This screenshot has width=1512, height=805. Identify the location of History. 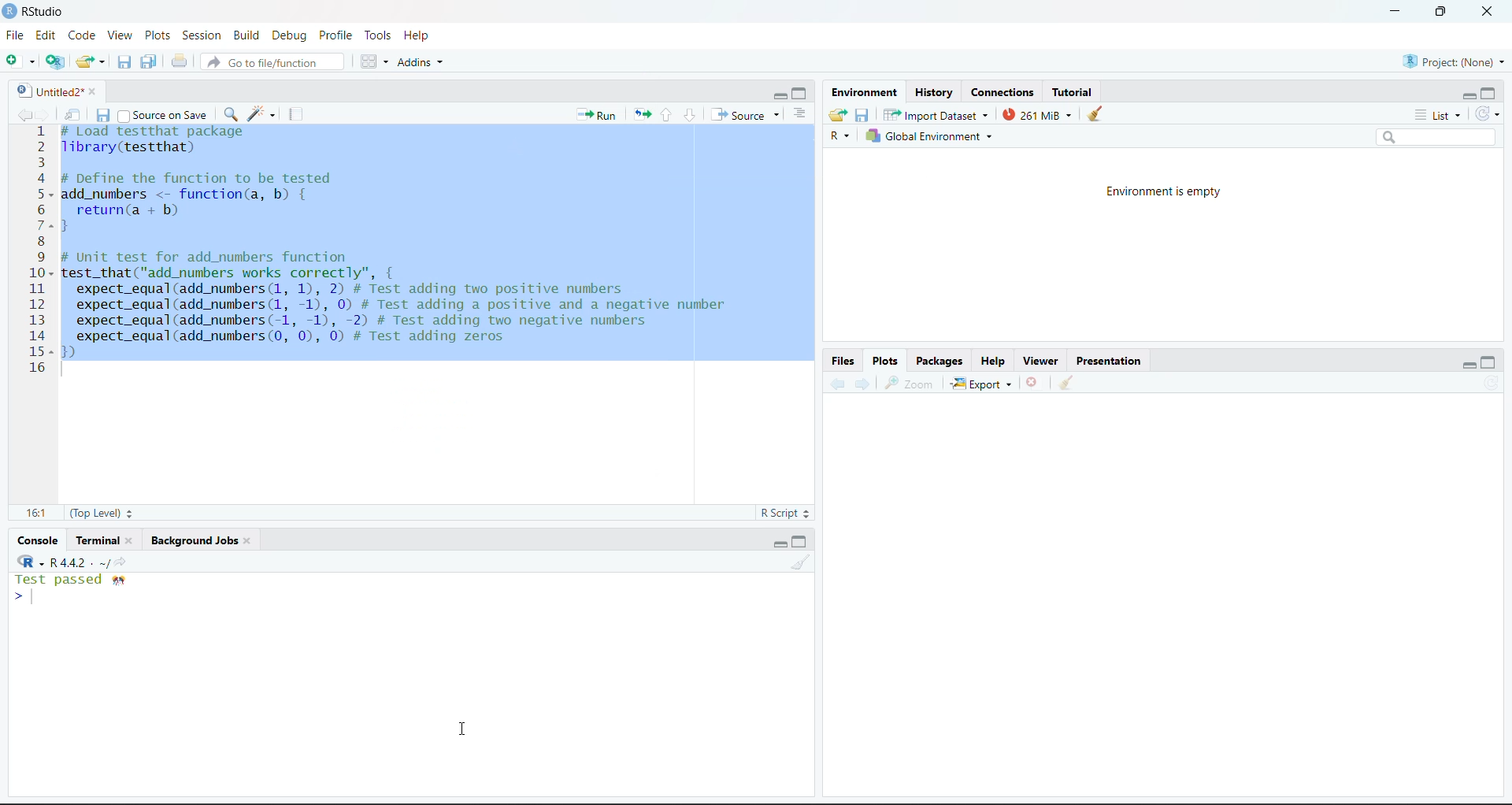
(934, 93).